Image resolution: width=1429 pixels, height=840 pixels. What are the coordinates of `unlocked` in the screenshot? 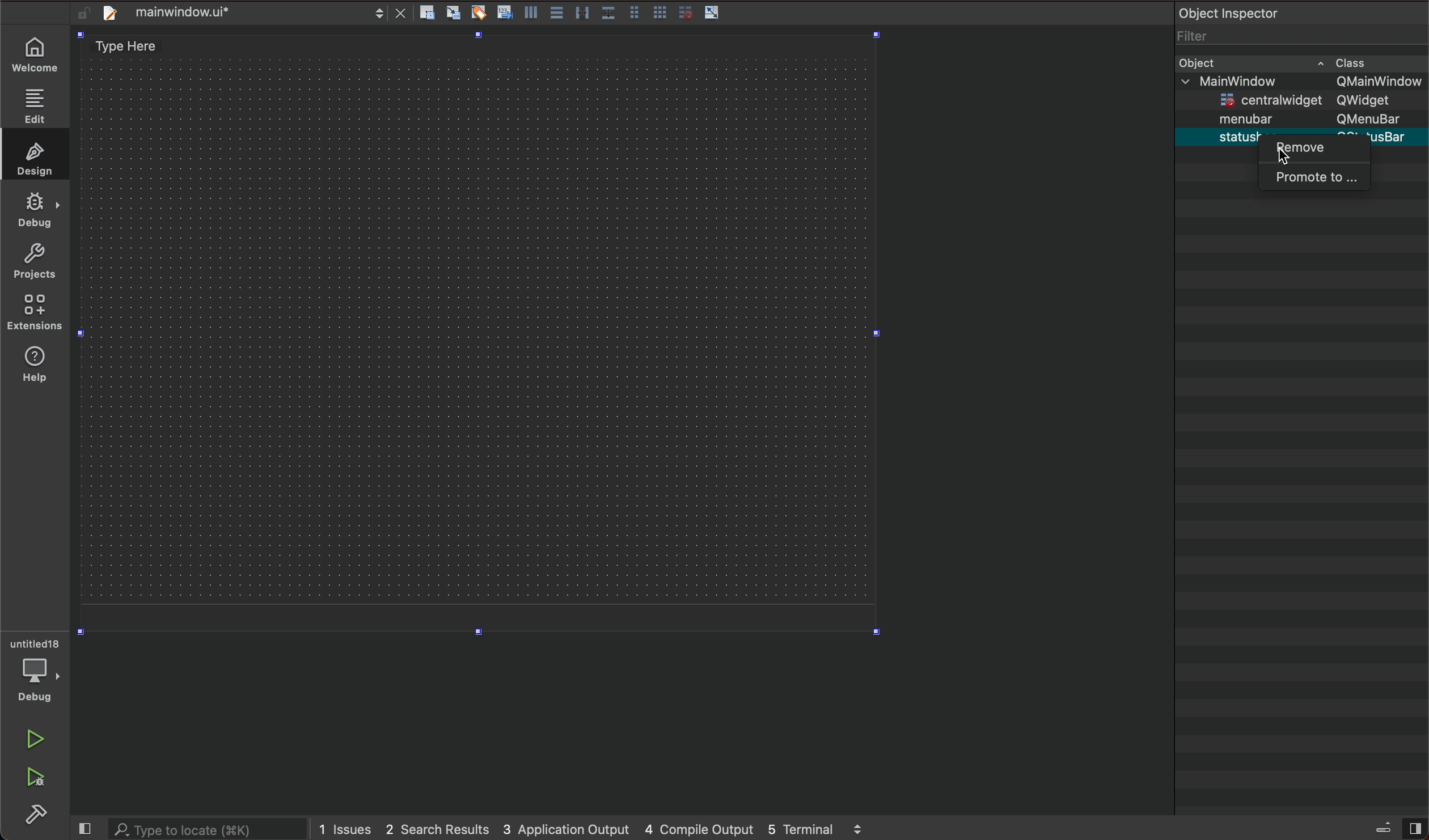 It's located at (81, 12).